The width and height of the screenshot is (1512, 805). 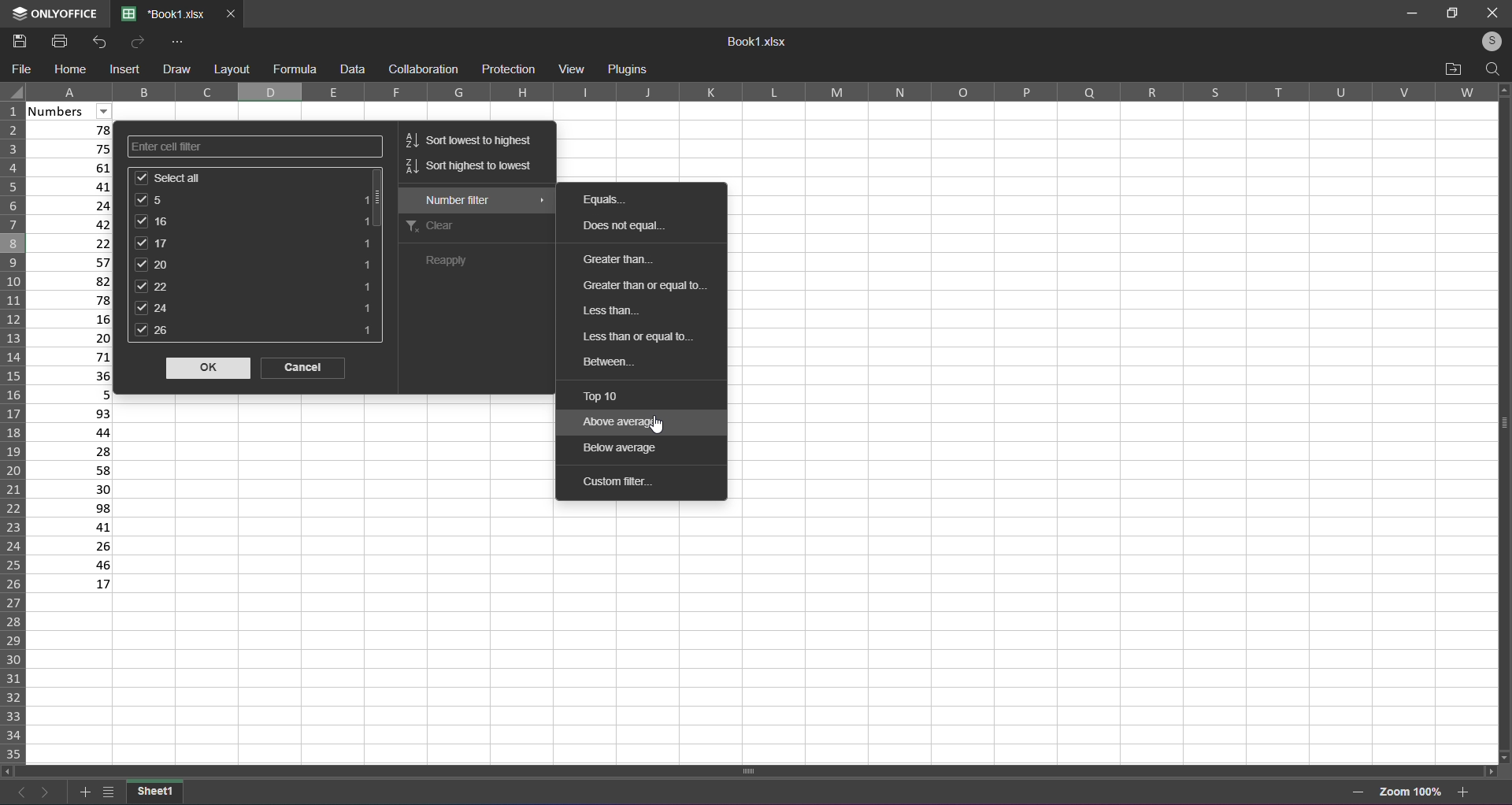 I want to click on Column Labels, so click(x=767, y=92).